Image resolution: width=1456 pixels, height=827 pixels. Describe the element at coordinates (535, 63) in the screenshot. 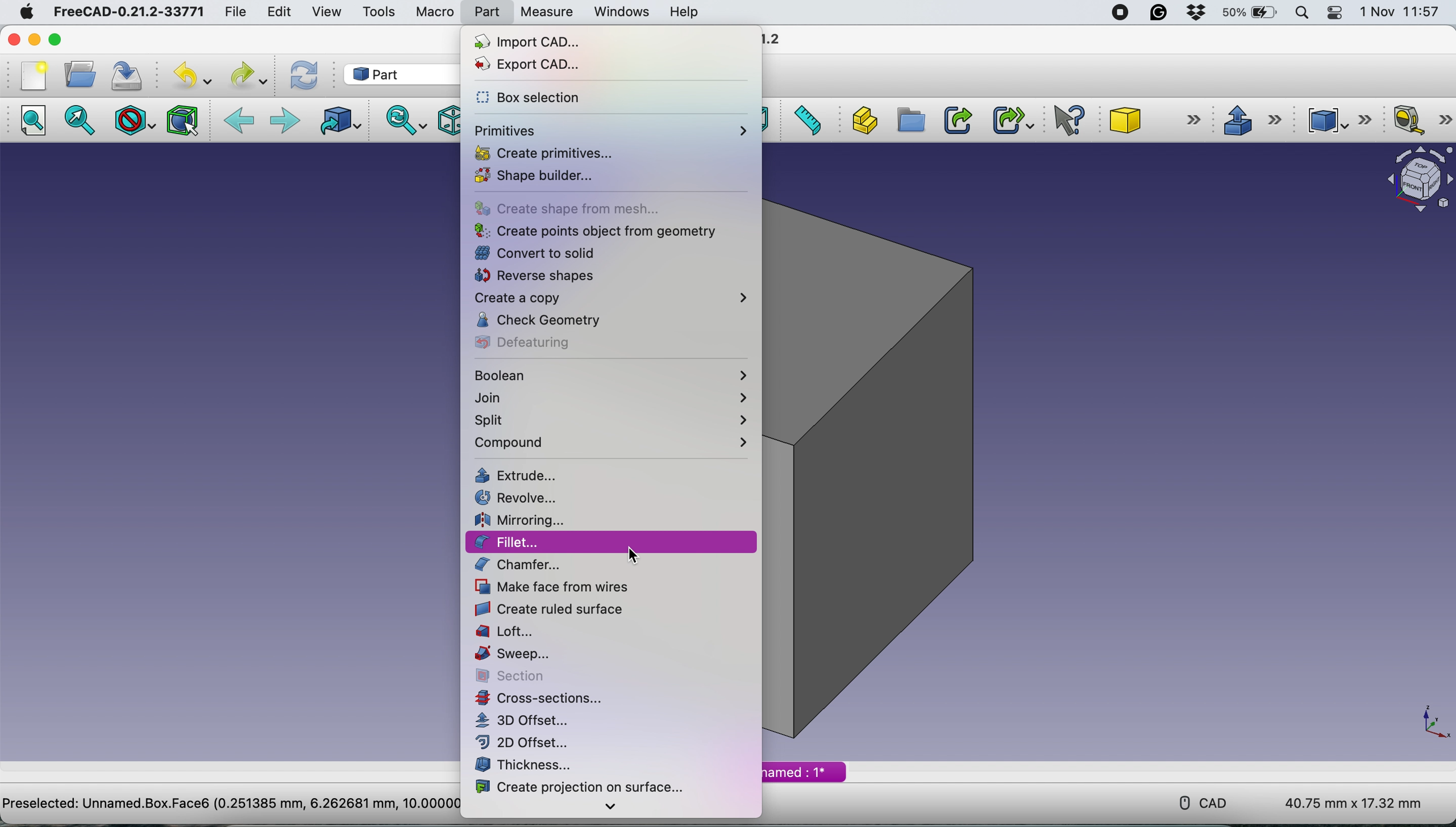

I see `export cad` at that location.